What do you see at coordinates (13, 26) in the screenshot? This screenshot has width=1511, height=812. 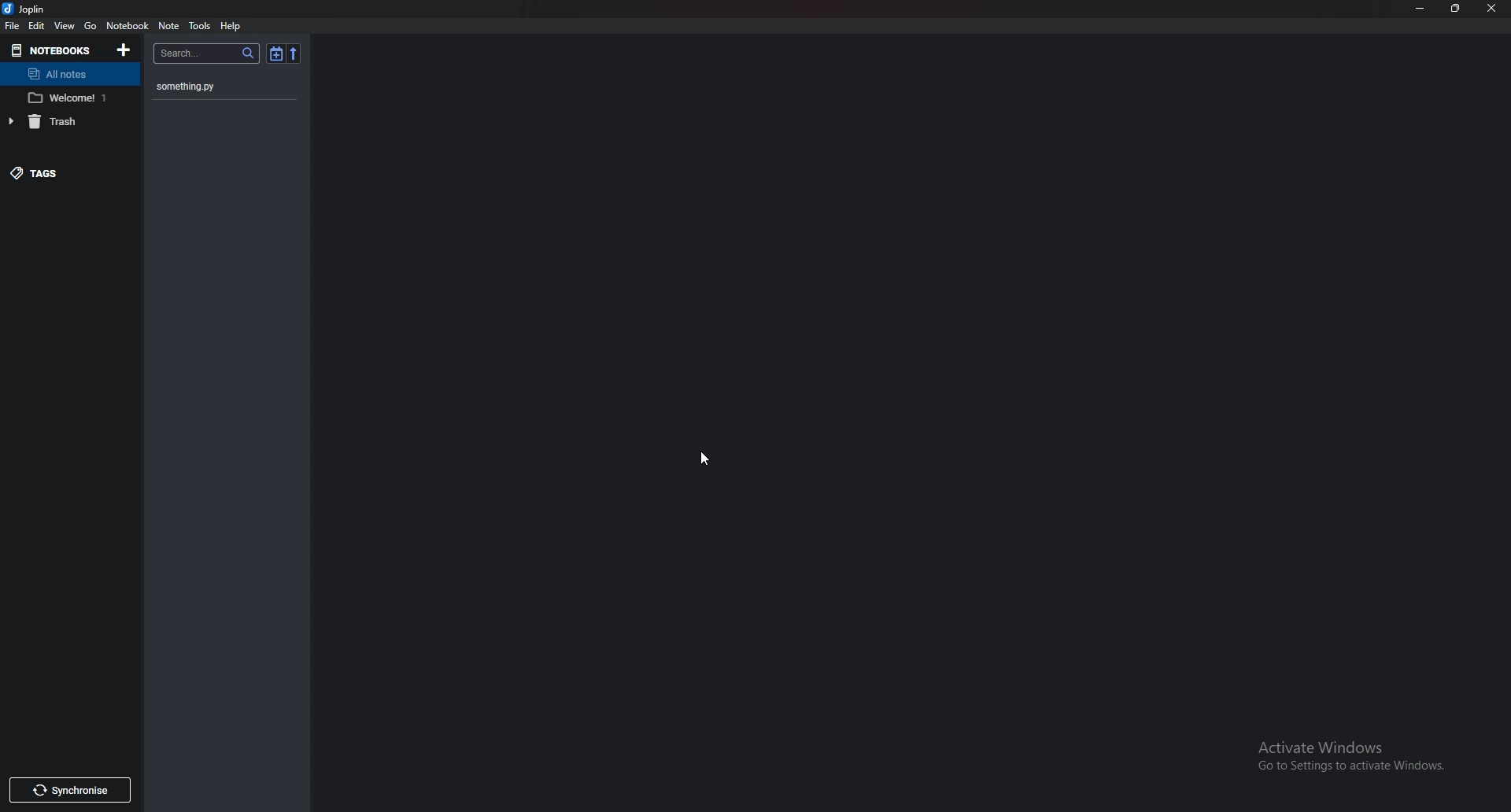 I see `File` at bounding box center [13, 26].